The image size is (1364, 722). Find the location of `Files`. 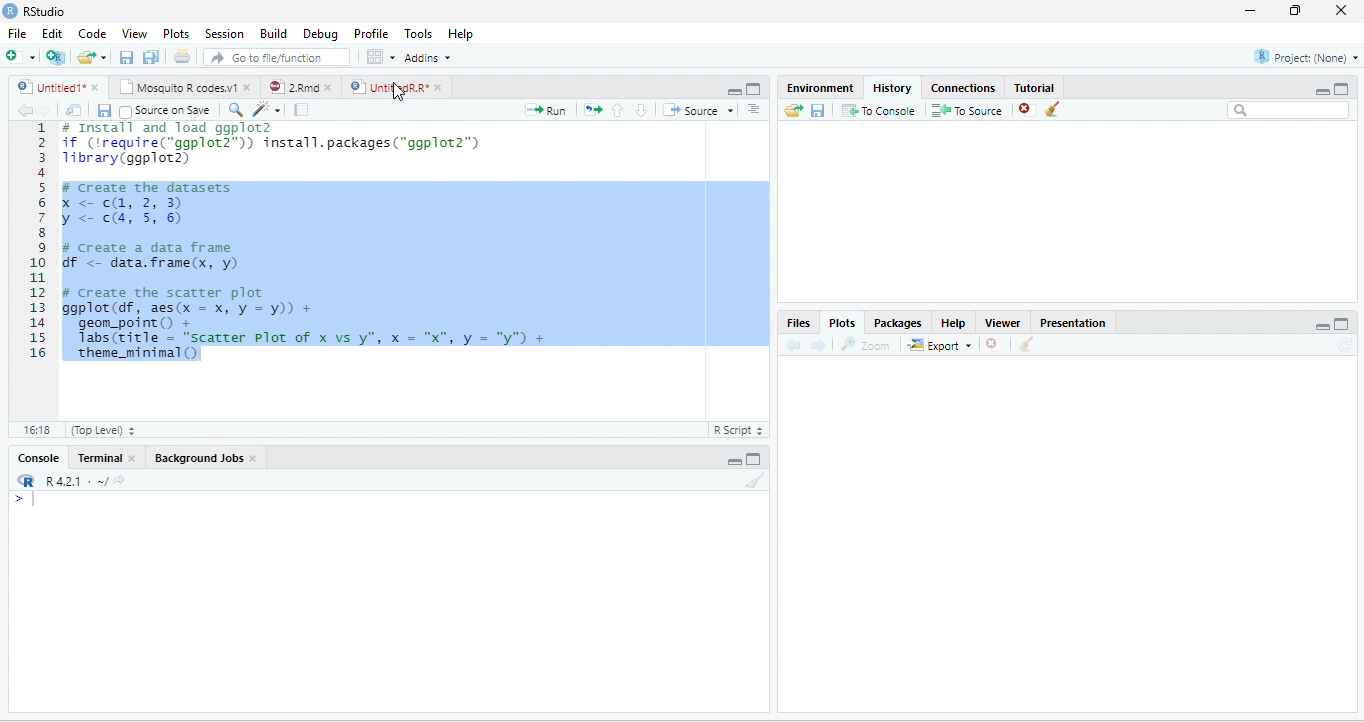

Files is located at coordinates (798, 322).